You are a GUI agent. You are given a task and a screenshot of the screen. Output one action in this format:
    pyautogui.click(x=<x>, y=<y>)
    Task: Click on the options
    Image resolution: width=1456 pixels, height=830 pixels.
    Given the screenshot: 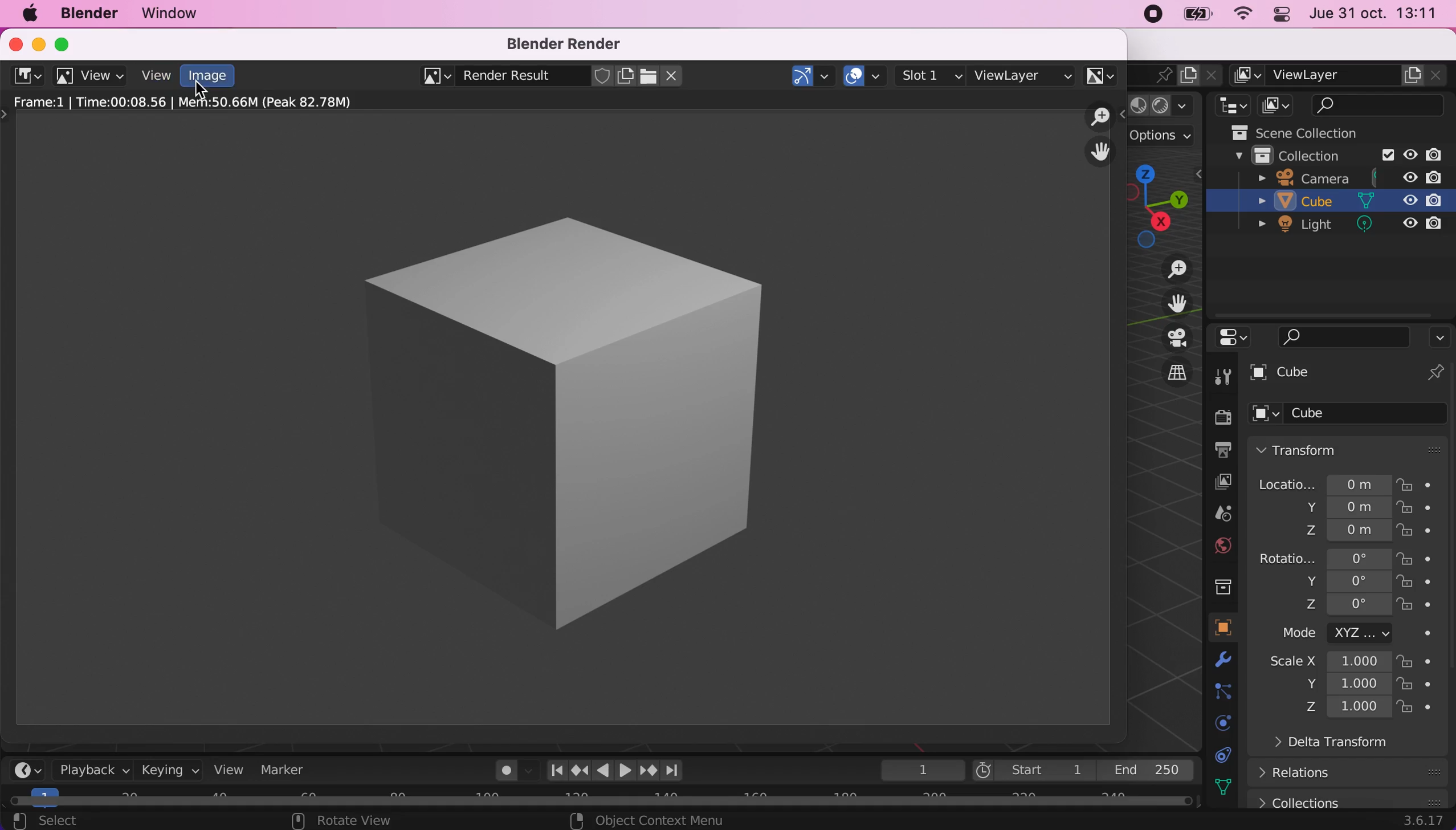 What is the action you would take?
    pyautogui.click(x=1169, y=138)
    